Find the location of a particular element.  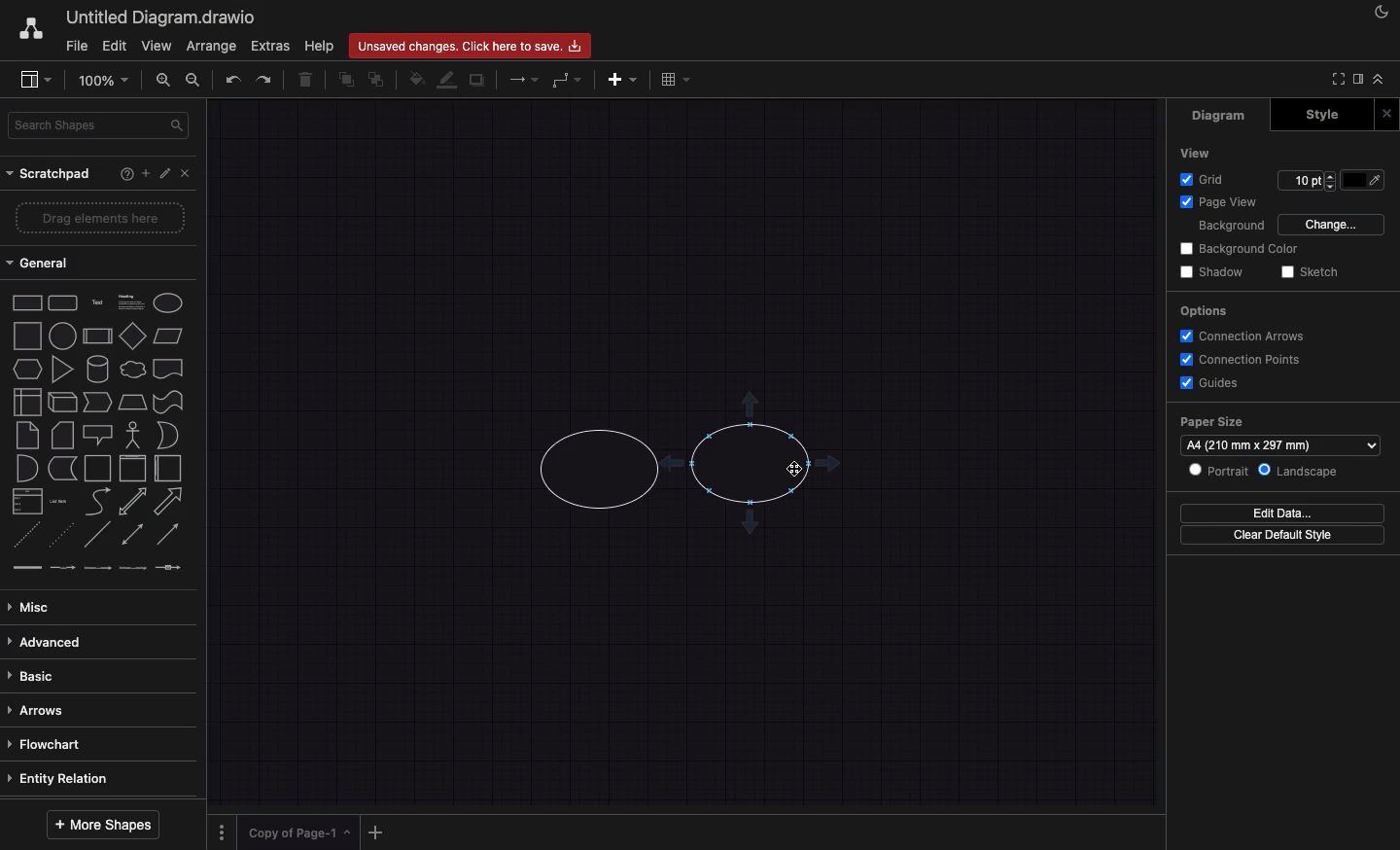

cloud is located at coordinates (134, 370).